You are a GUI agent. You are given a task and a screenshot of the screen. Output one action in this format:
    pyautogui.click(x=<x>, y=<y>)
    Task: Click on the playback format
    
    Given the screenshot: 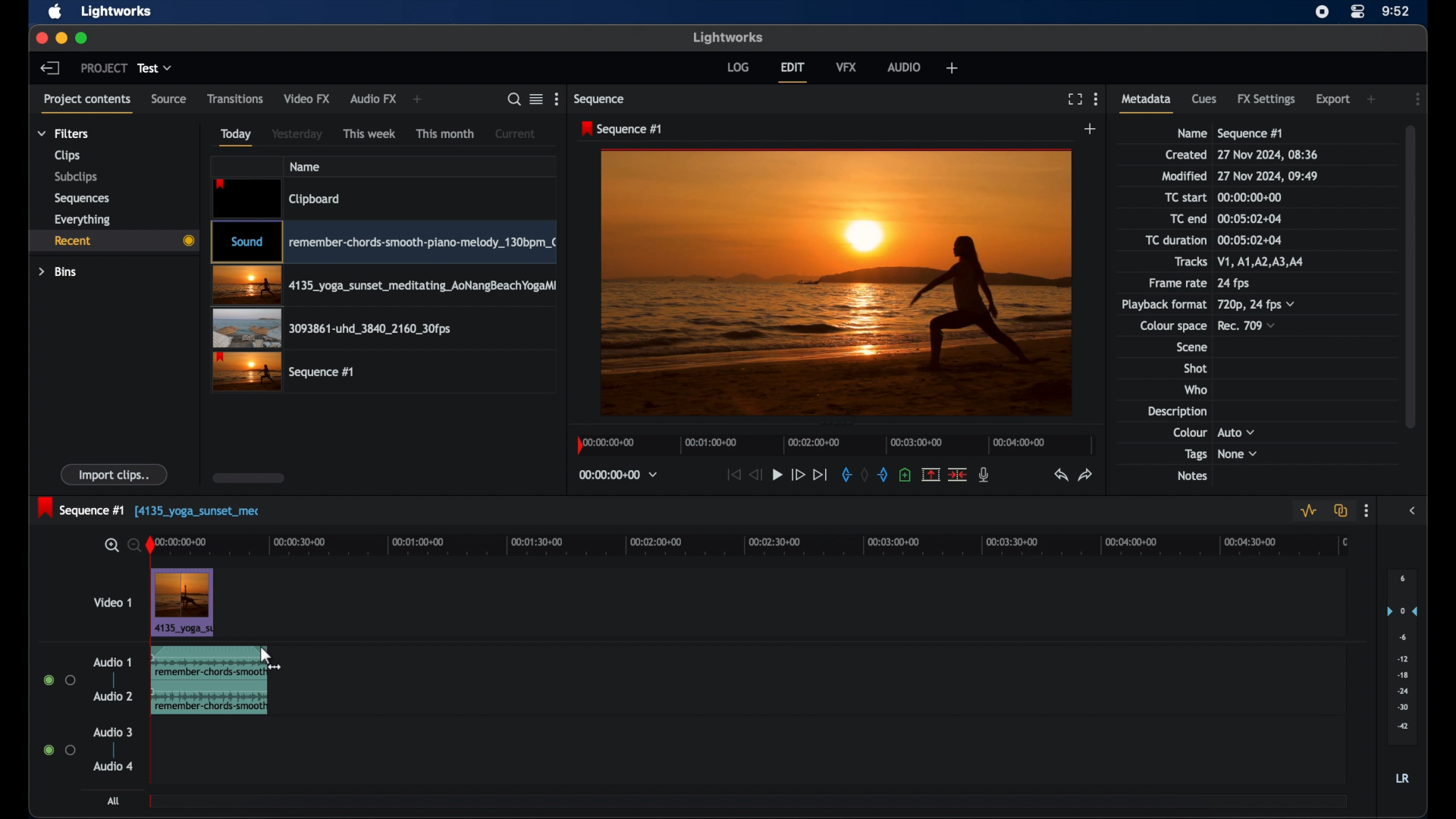 What is the action you would take?
    pyautogui.click(x=1163, y=304)
    